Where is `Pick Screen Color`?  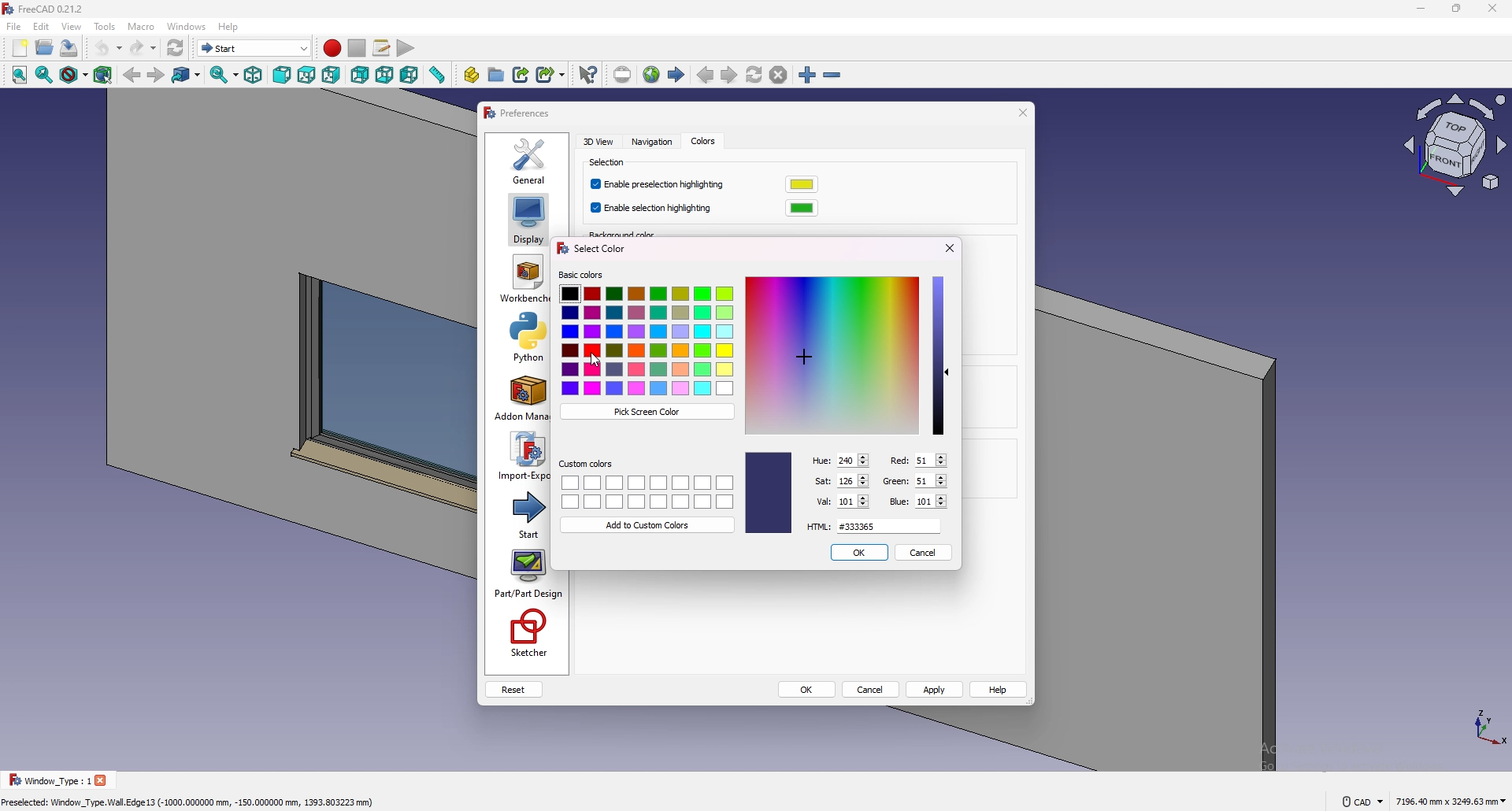 Pick Screen Color is located at coordinates (647, 412).